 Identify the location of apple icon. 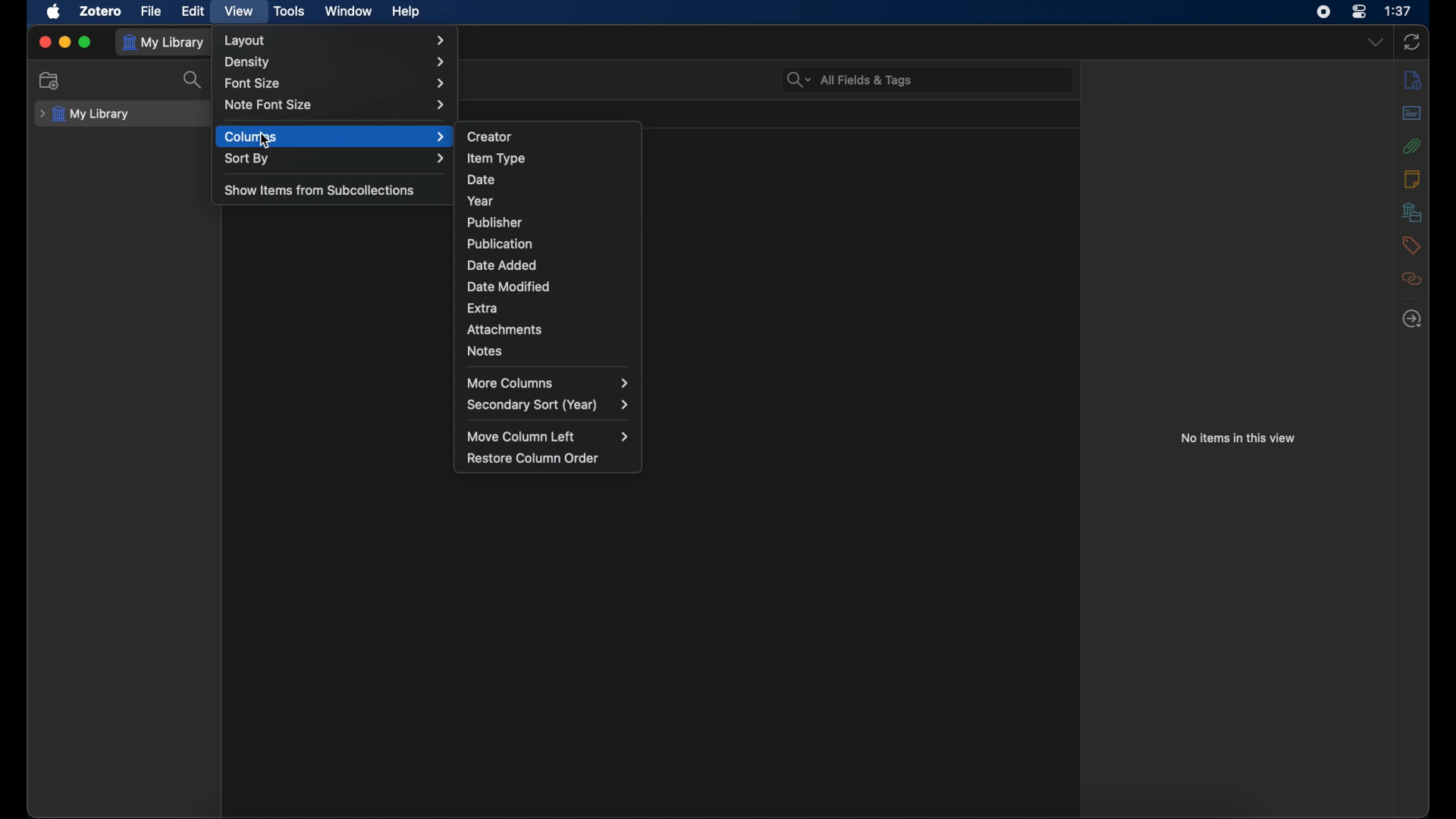
(54, 12).